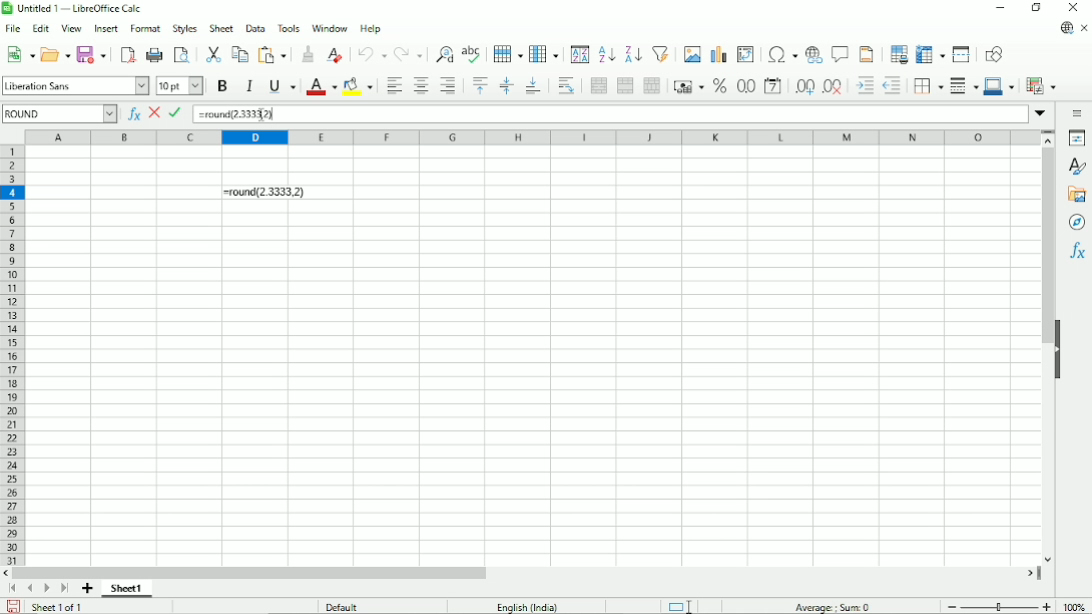 This screenshot has height=614, width=1092. I want to click on Italic, so click(249, 86).